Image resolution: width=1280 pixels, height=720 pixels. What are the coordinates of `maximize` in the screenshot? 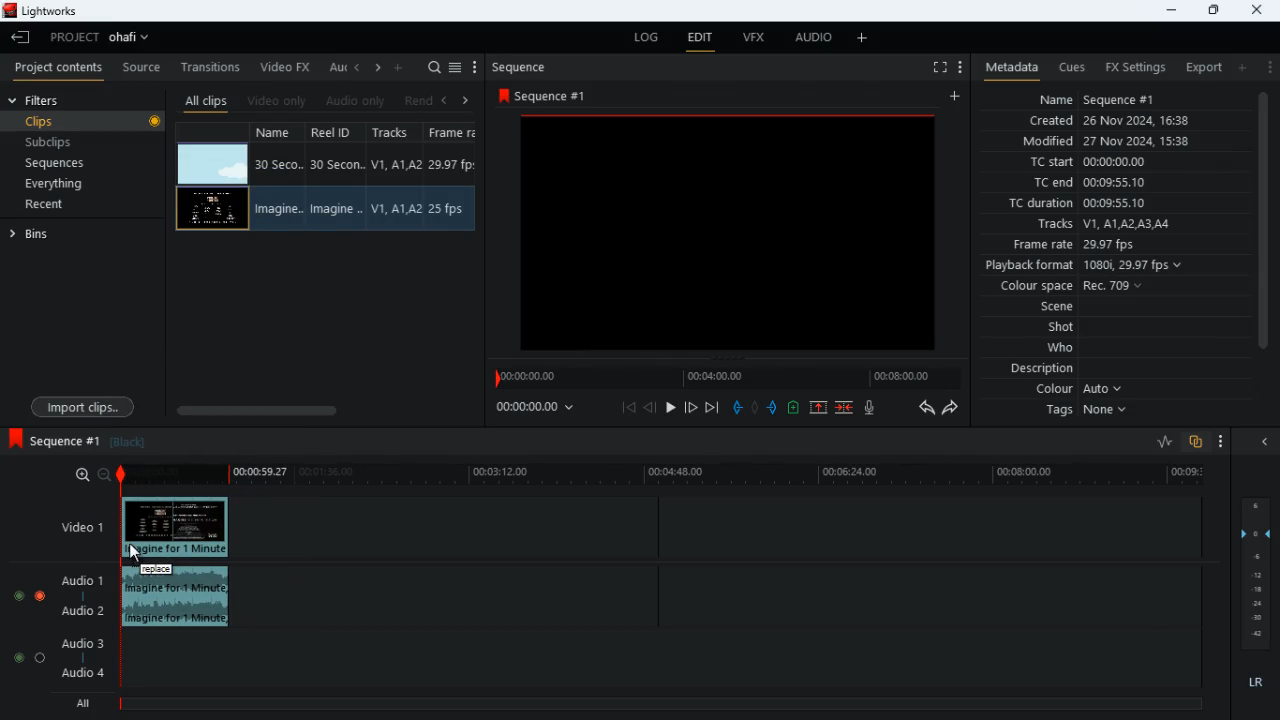 It's located at (1210, 12).